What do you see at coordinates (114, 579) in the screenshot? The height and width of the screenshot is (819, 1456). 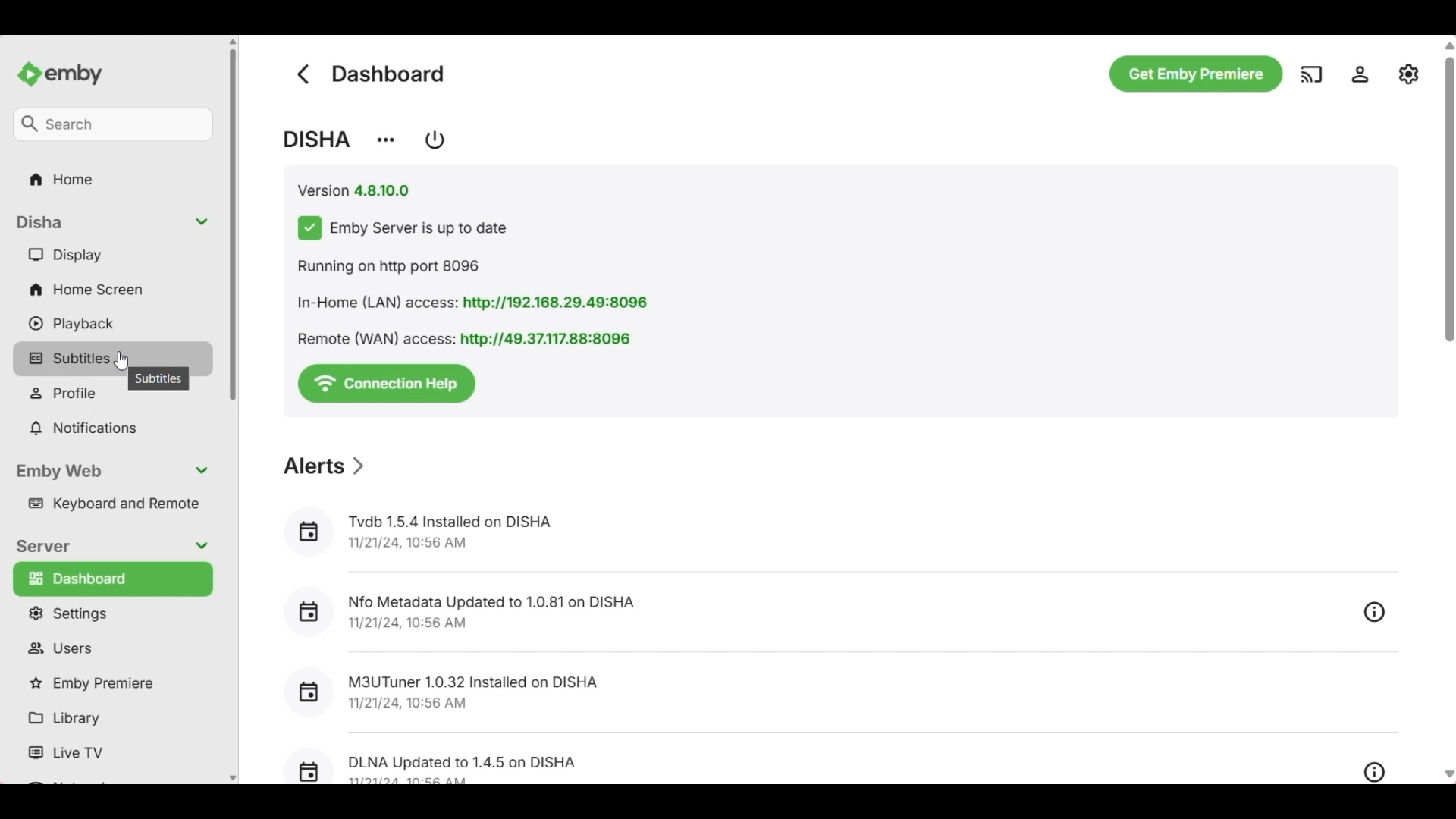 I see `Dashboard, current selection highlighted` at bounding box center [114, 579].